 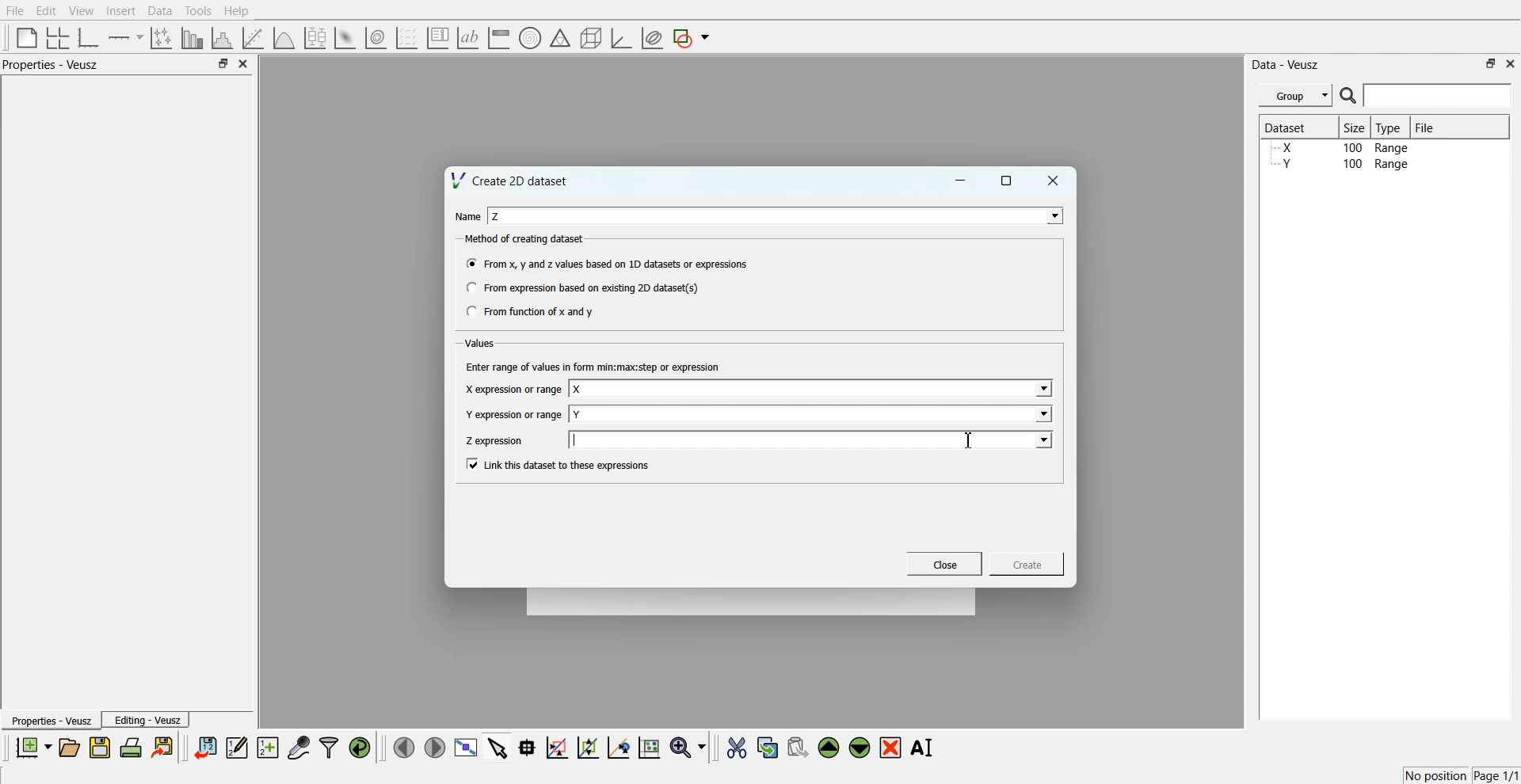 What do you see at coordinates (299, 747) in the screenshot?
I see `Capture remote data` at bounding box center [299, 747].